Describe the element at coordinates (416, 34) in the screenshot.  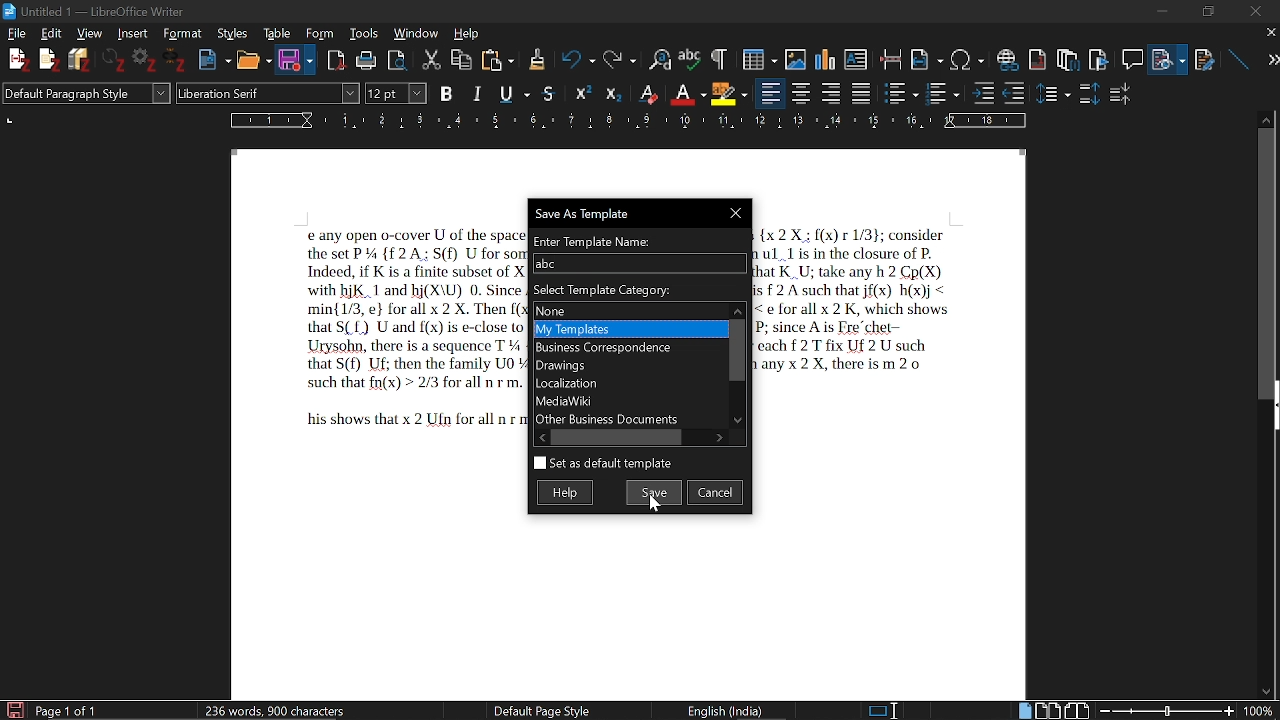
I see `Window` at that location.